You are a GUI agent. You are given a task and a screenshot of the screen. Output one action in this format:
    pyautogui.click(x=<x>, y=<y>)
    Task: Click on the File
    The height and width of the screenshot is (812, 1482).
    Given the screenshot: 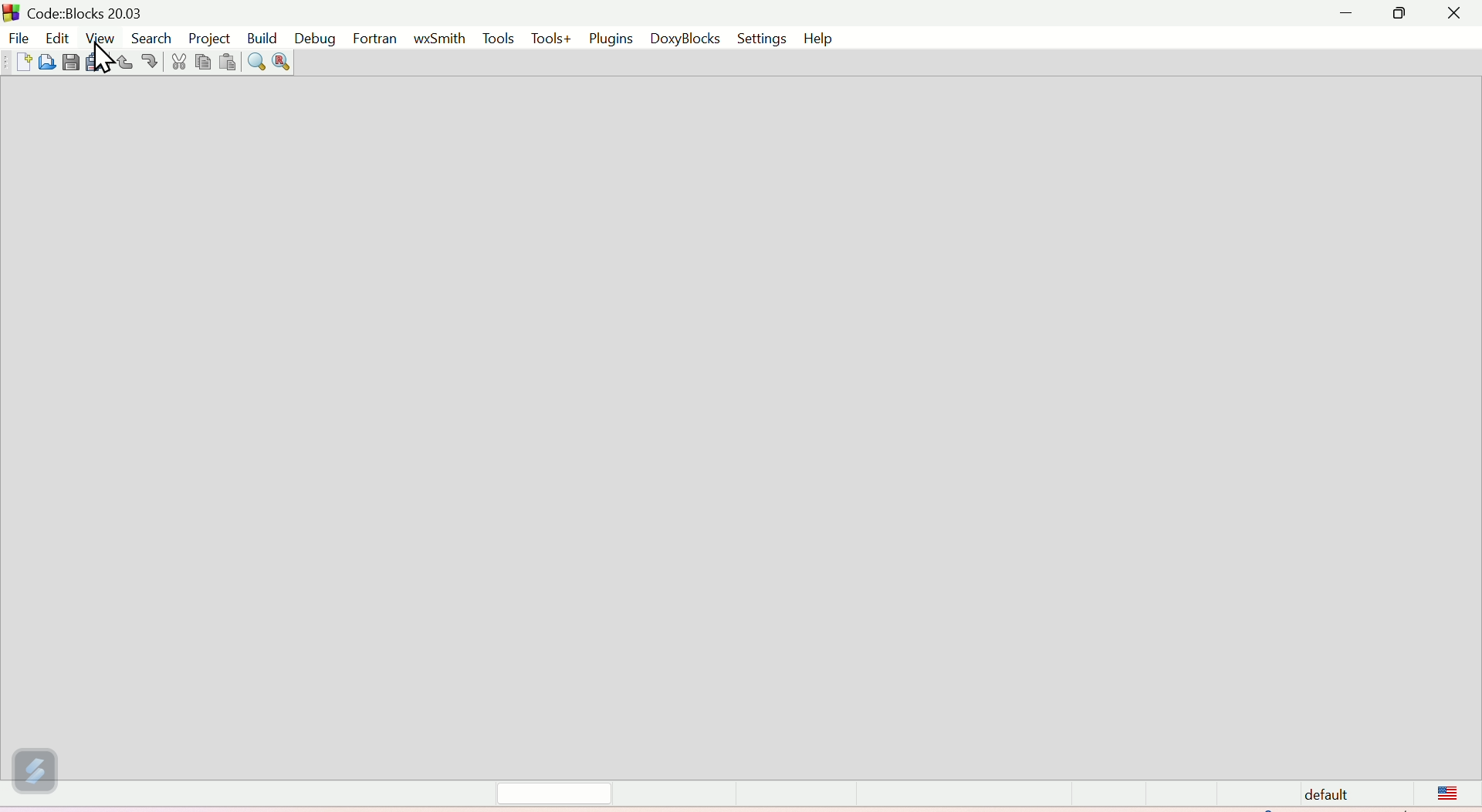 What is the action you would take?
    pyautogui.click(x=19, y=37)
    